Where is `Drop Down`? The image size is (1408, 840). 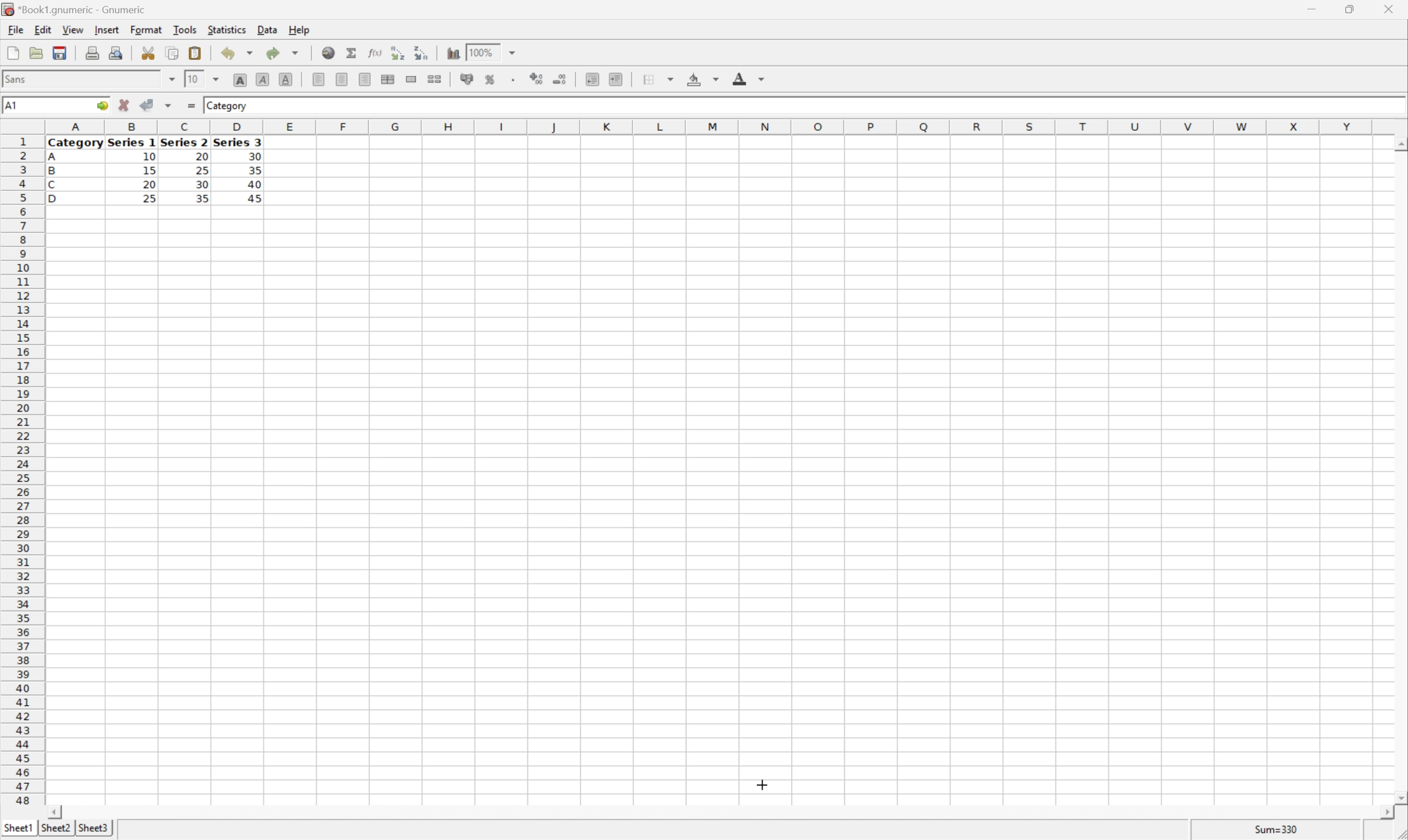 Drop Down is located at coordinates (216, 80).